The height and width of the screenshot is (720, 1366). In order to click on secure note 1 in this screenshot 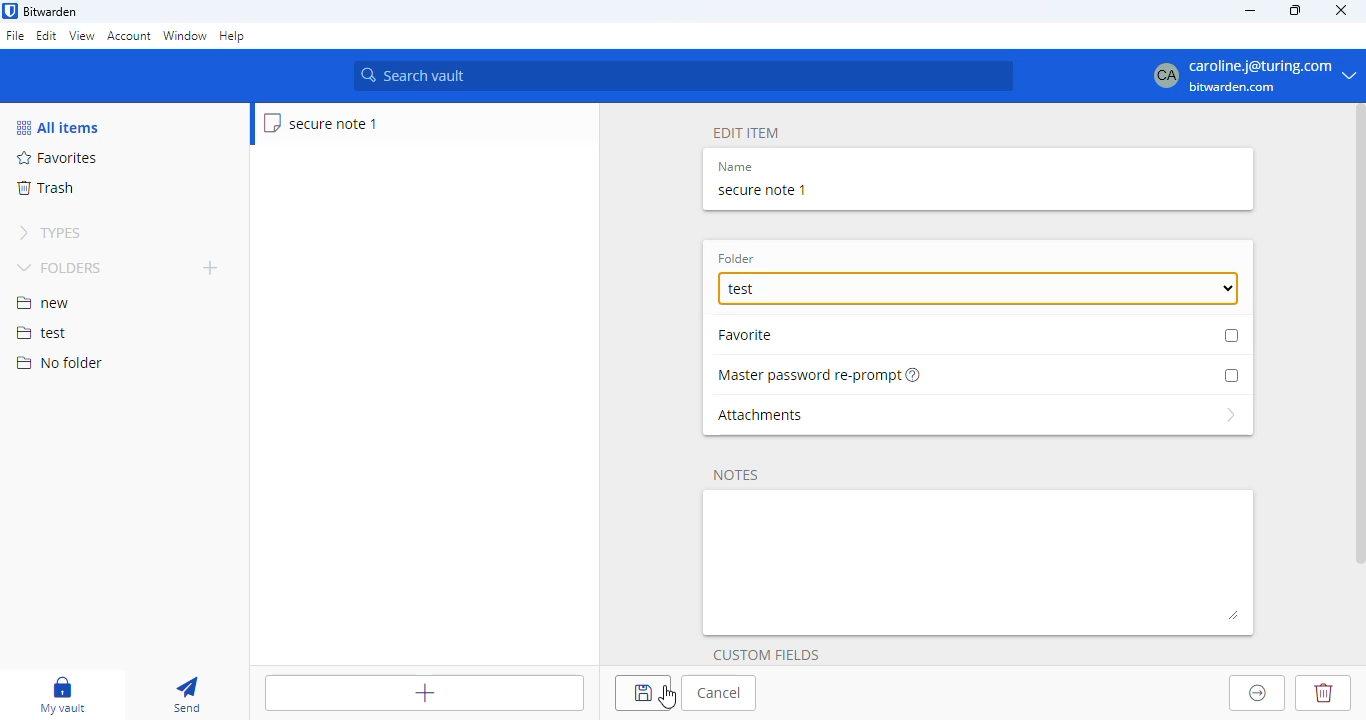, I will do `click(322, 123)`.